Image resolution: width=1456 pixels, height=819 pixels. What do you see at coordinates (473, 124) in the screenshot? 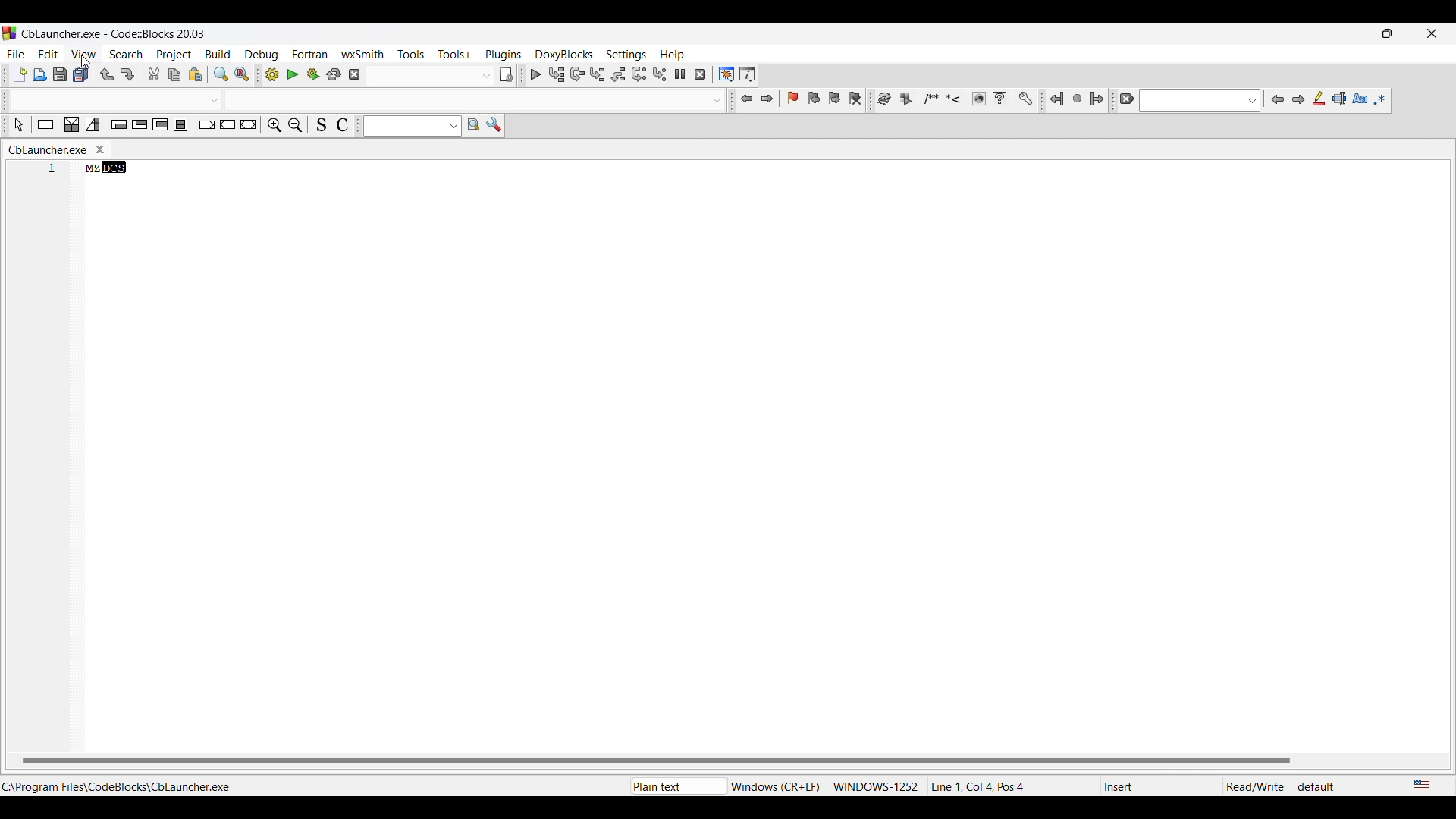
I see `Run search` at bounding box center [473, 124].